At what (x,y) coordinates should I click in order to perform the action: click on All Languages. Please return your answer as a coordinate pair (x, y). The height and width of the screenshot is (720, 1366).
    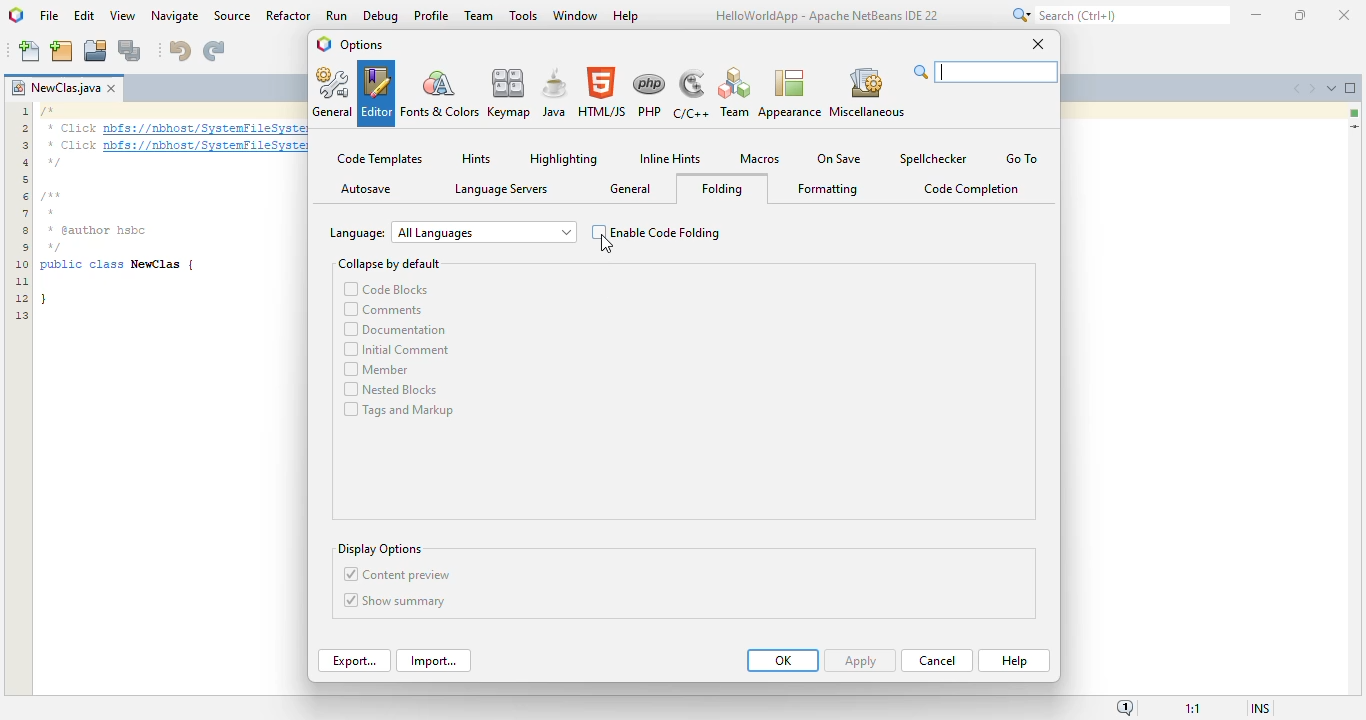
    Looking at the image, I should click on (484, 231).